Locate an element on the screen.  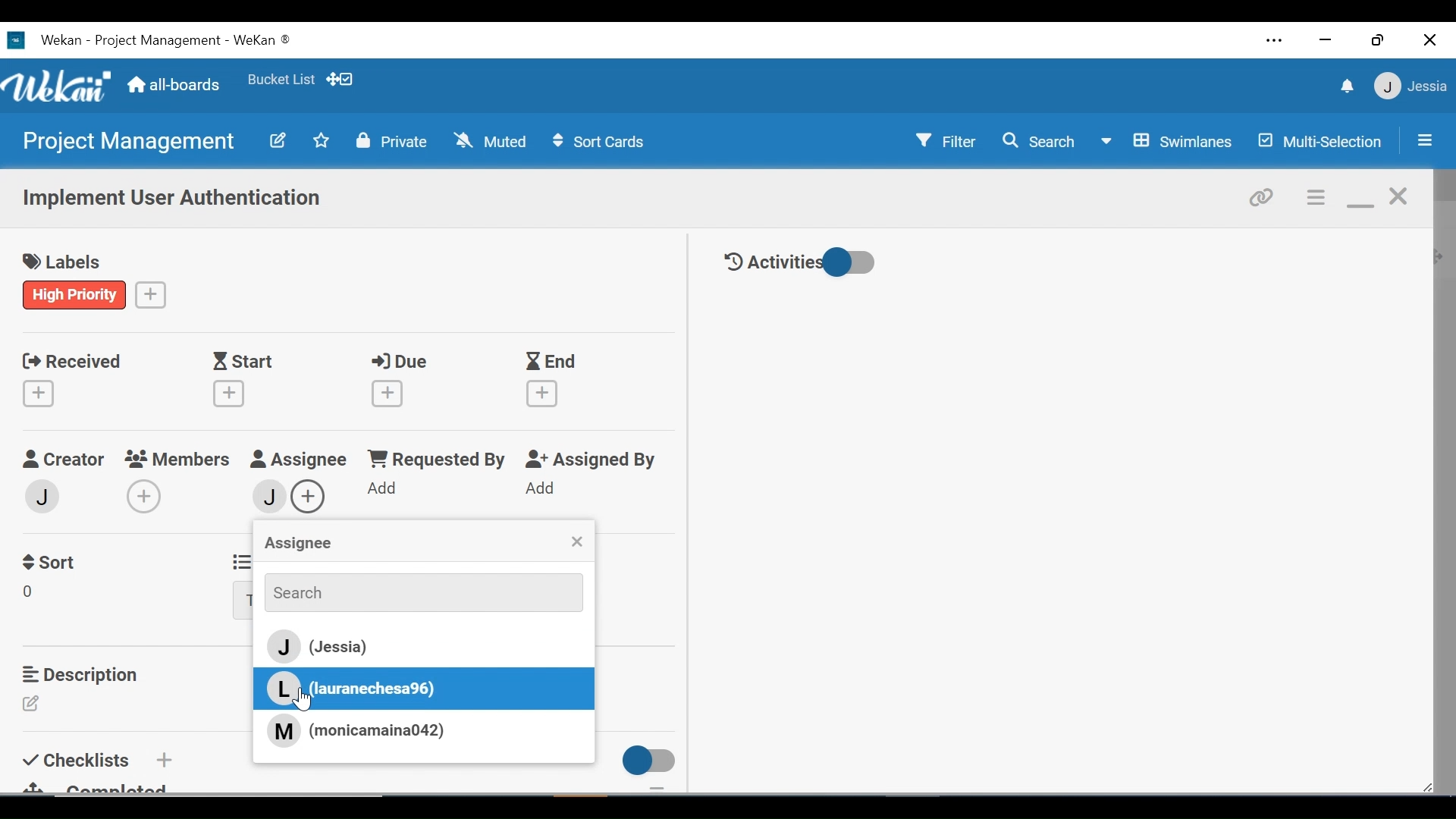
Project Management is located at coordinates (126, 142).